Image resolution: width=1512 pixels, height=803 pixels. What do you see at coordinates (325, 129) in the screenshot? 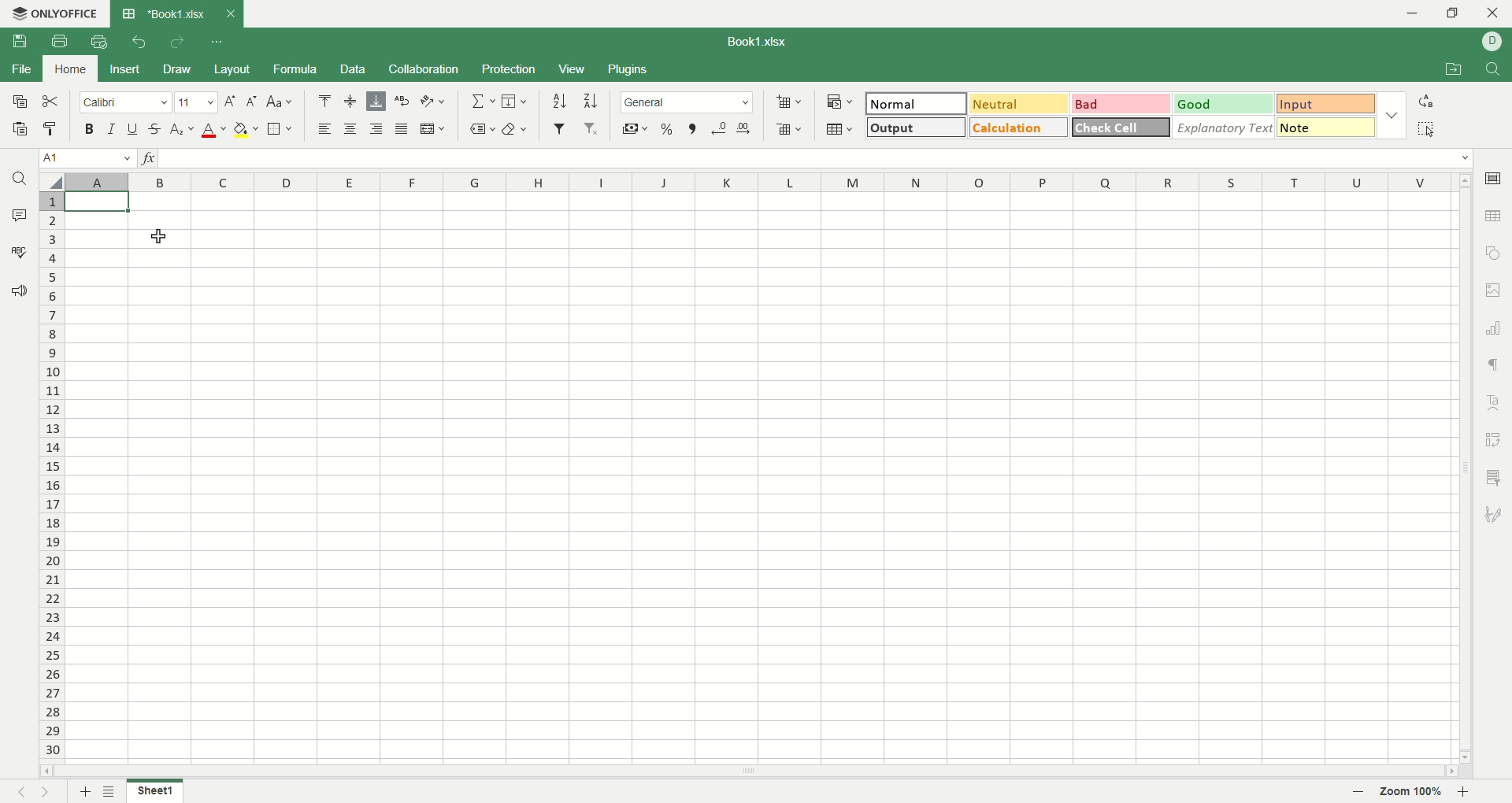
I see `align left` at bounding box center [325, 129].